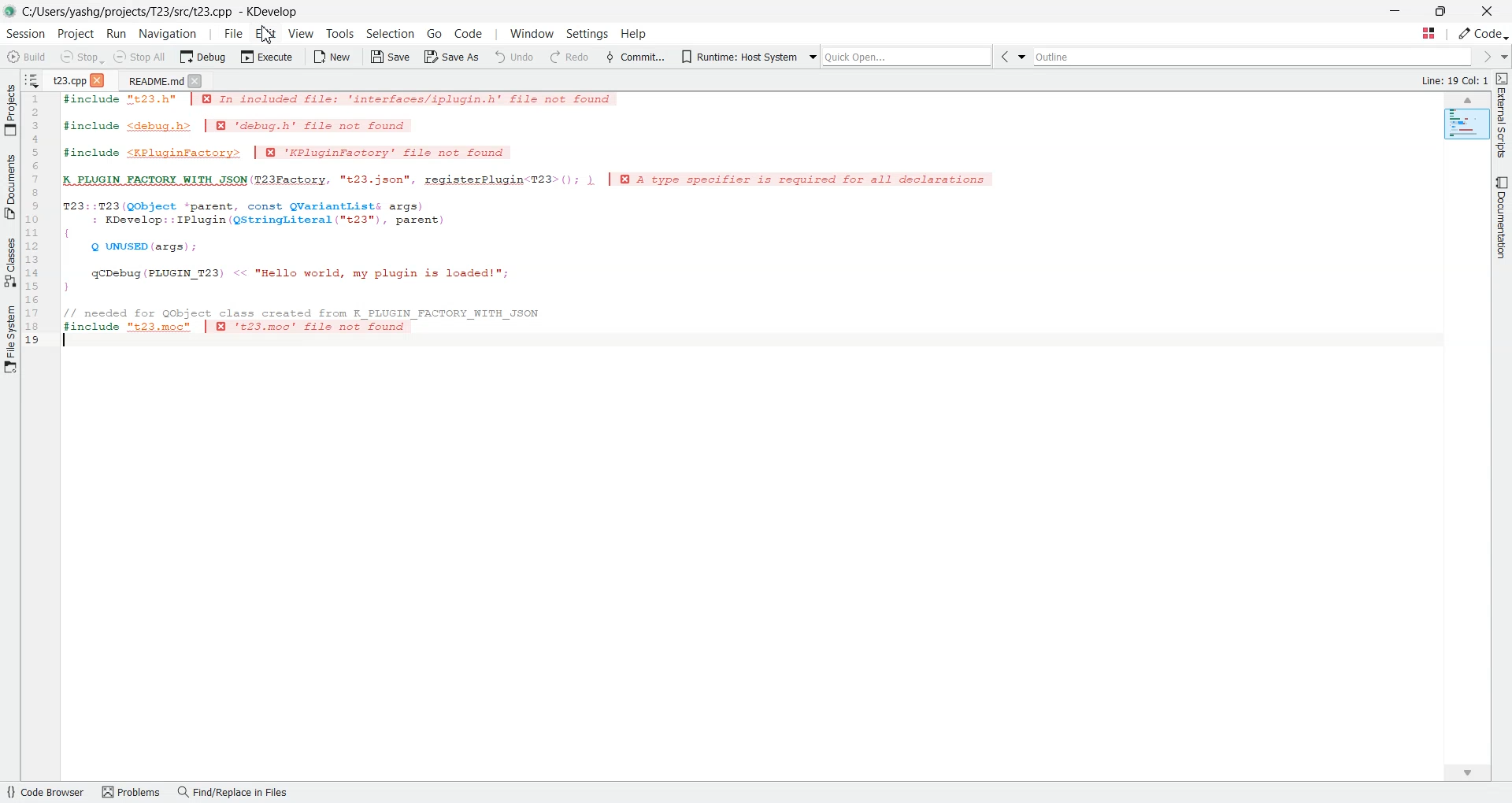  What do you see at coordinates (434, 33) in the screenshot?
I see `go` at bounding box center [434, 33].